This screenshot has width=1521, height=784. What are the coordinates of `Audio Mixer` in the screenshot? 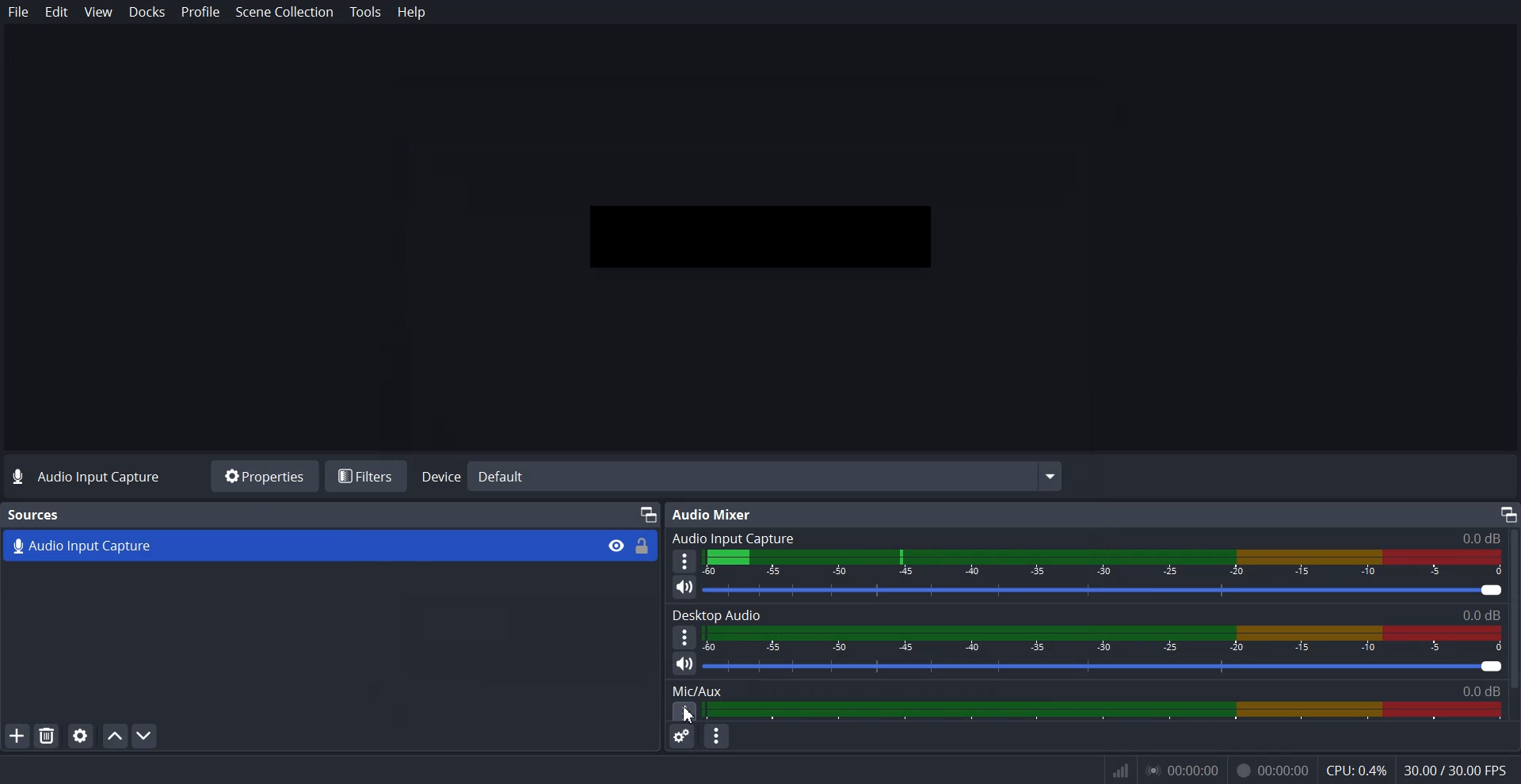 It's located at (711, 515).